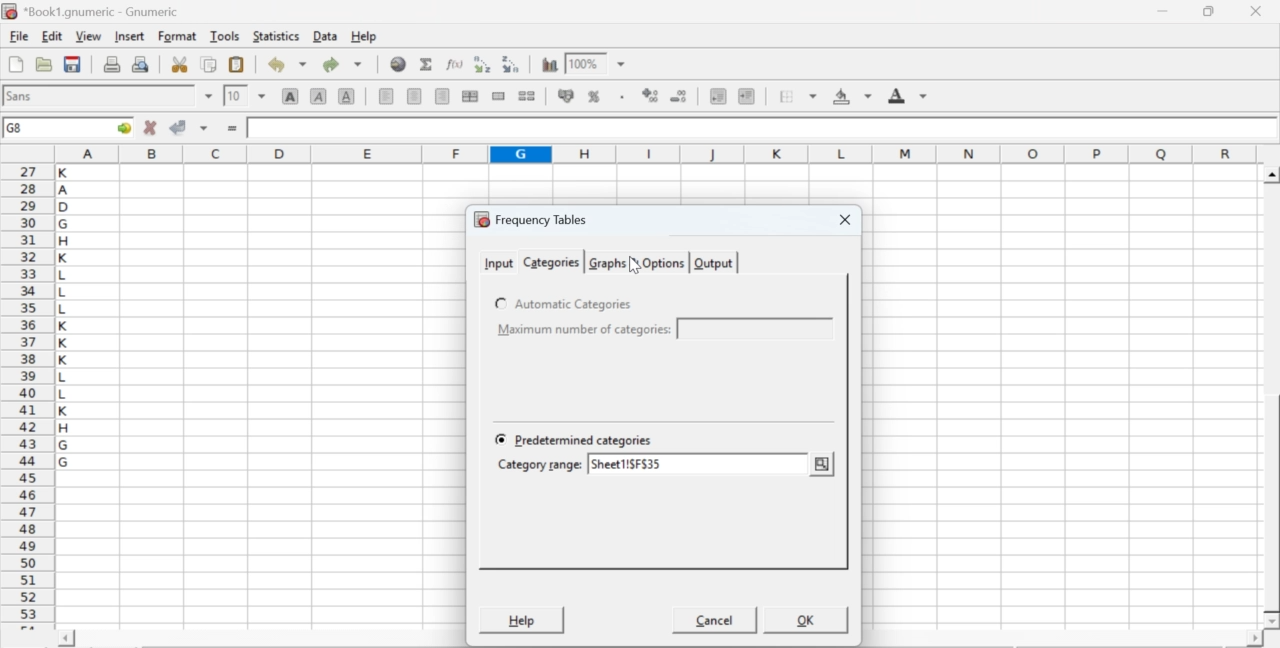 This screenshot has width=1280, height=648. What do you see at coordinates (42, 64) in the screenshot?
I see `open` at bounding box center [42, 64].